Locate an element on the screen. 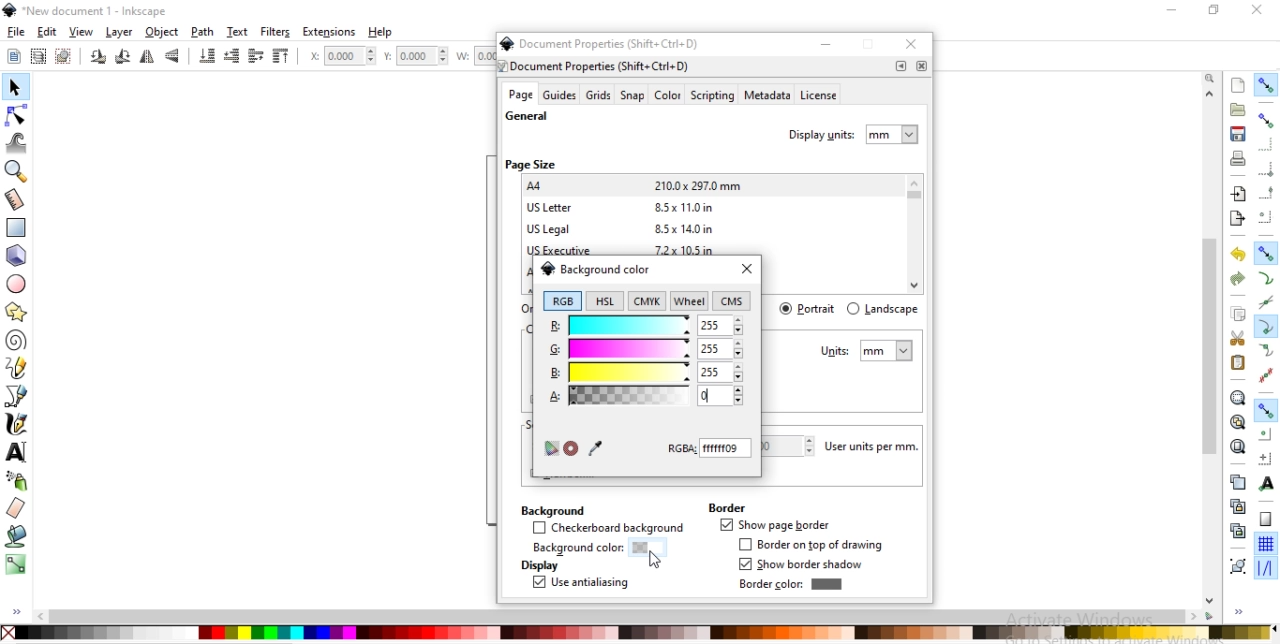 This screenshot has height=644, width=1280. pick colors from image is located at coordinates (595, 447).